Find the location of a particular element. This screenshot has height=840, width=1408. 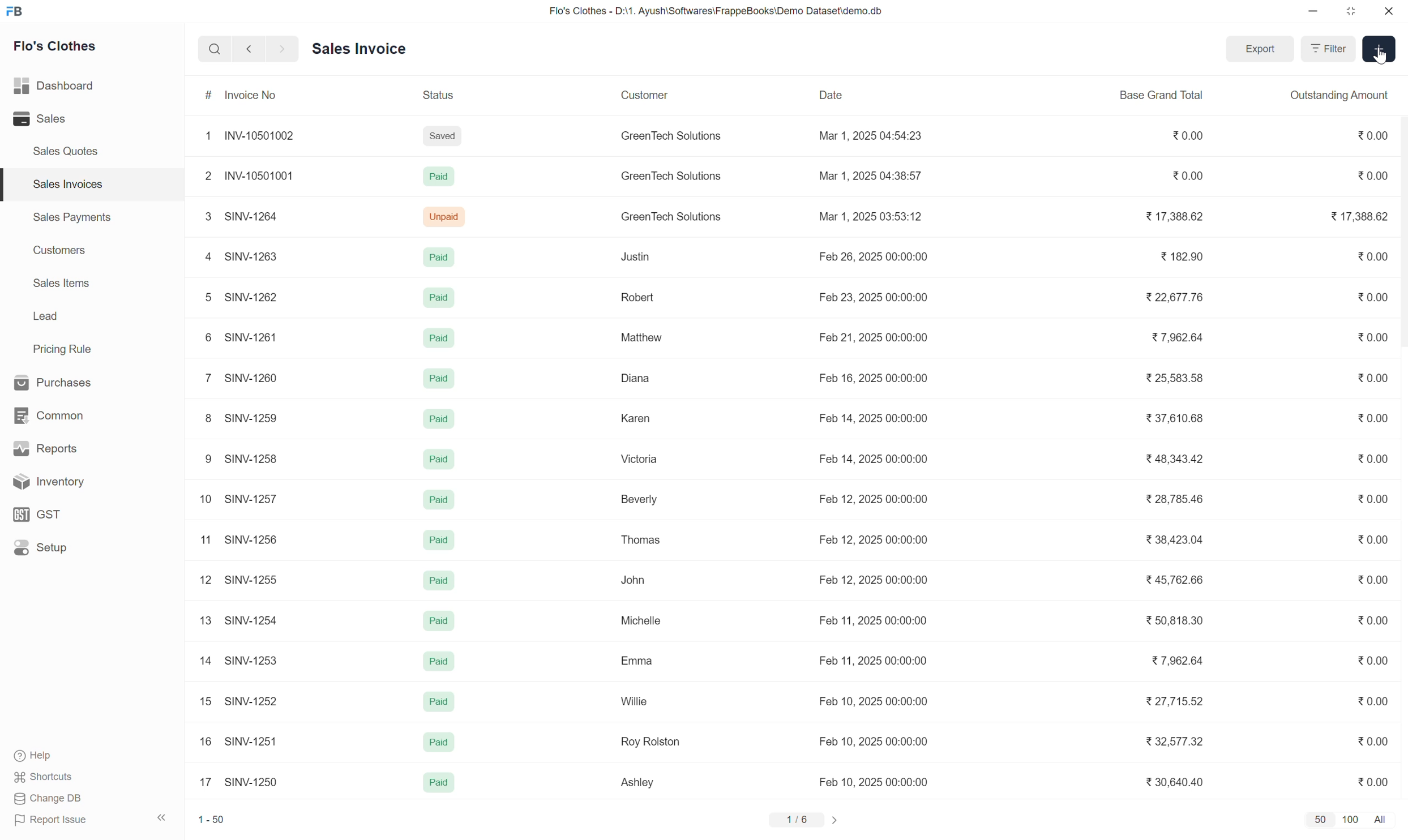

Flo's Clothes is located at coordinates (61, 48).